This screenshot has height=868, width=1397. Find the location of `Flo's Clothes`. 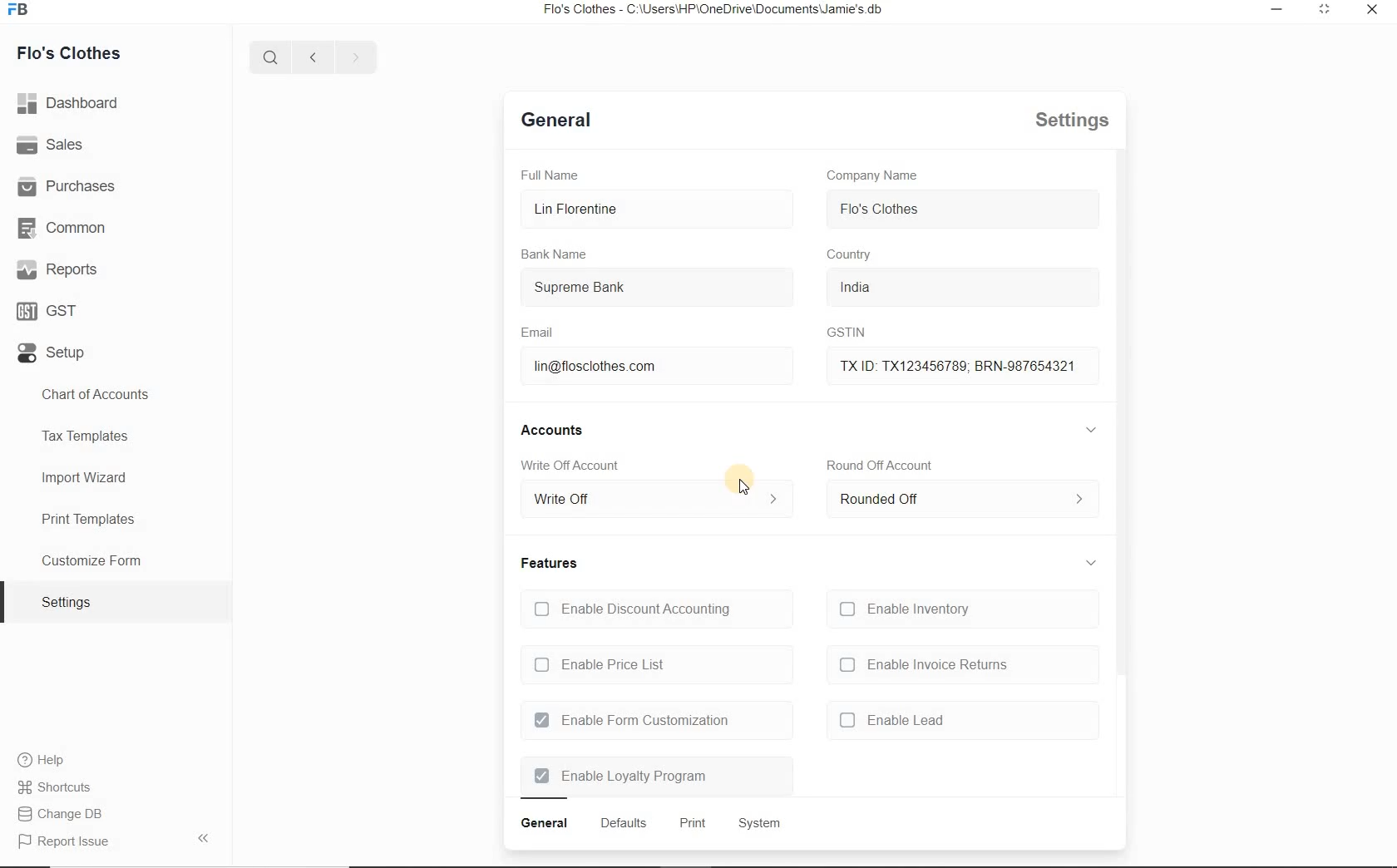

Flo's Clothes is located at coordinates (72, 52).